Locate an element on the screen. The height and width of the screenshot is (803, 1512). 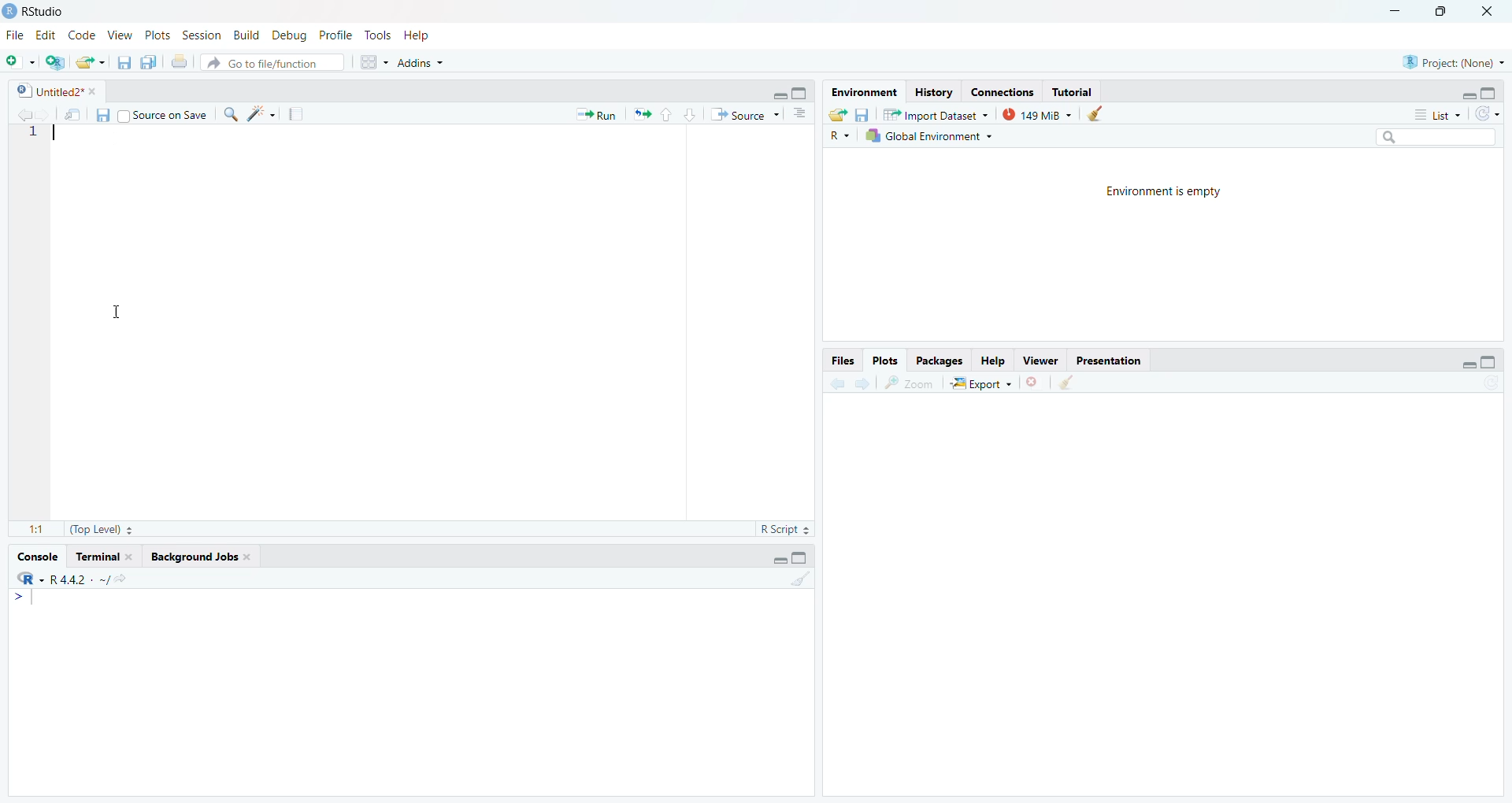
Go back to the previous source location (Ctrl + F9) is located at coordinates (21, 113).